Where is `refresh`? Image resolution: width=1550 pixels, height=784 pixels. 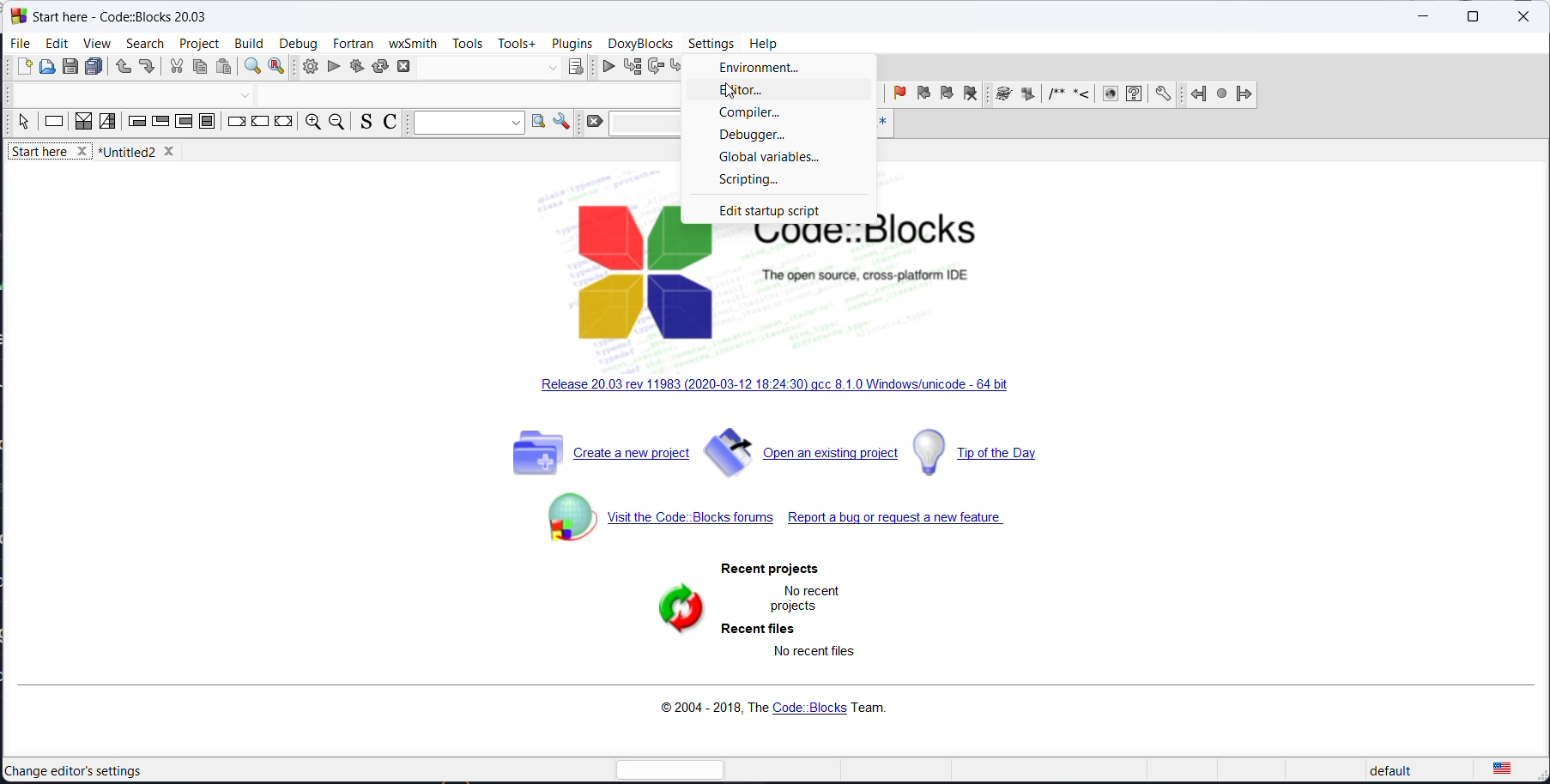 refresh is located at coordinates (663, 614).